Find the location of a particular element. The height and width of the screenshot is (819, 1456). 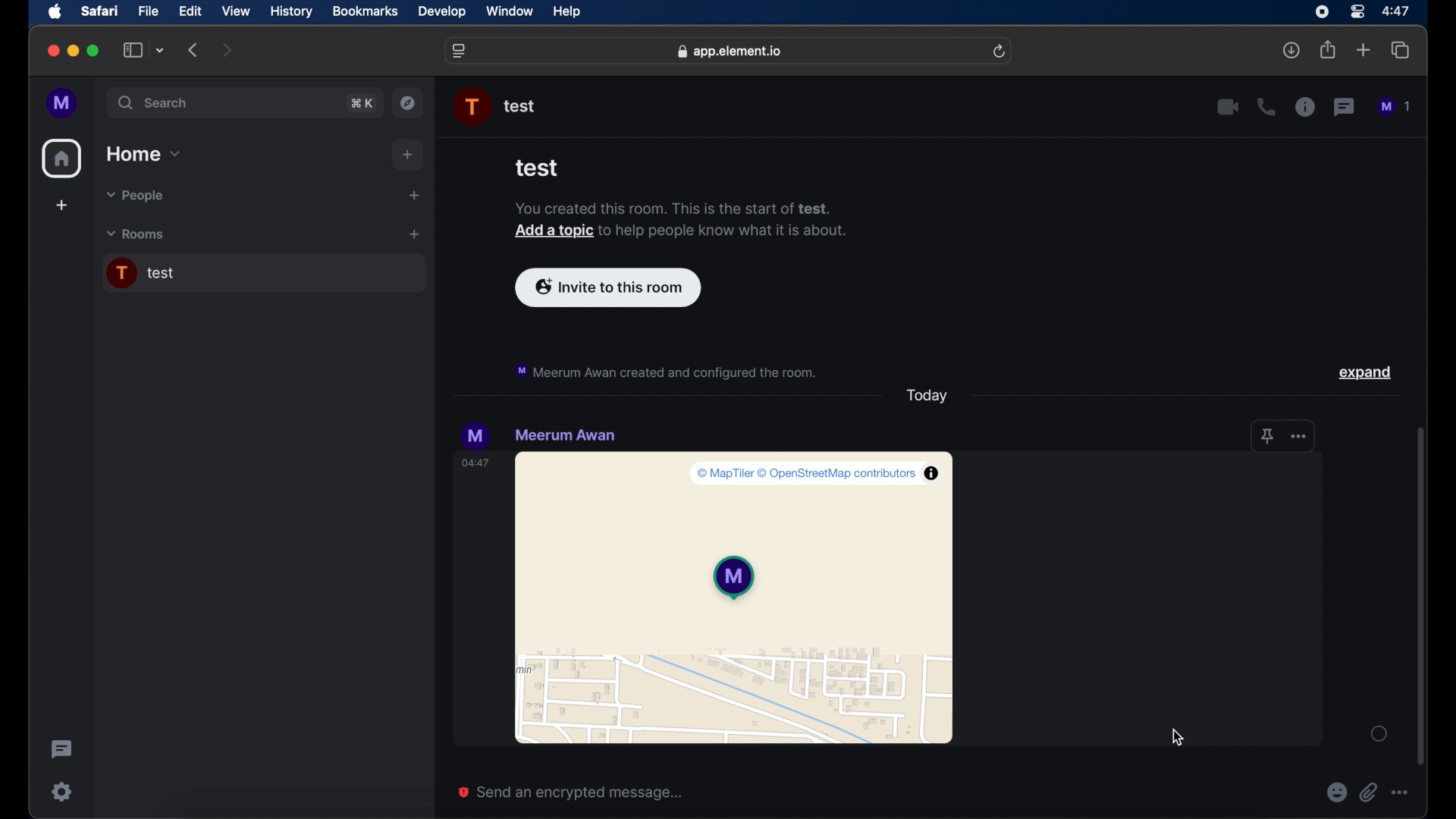

round icon is located at coordinates (1379, 733).